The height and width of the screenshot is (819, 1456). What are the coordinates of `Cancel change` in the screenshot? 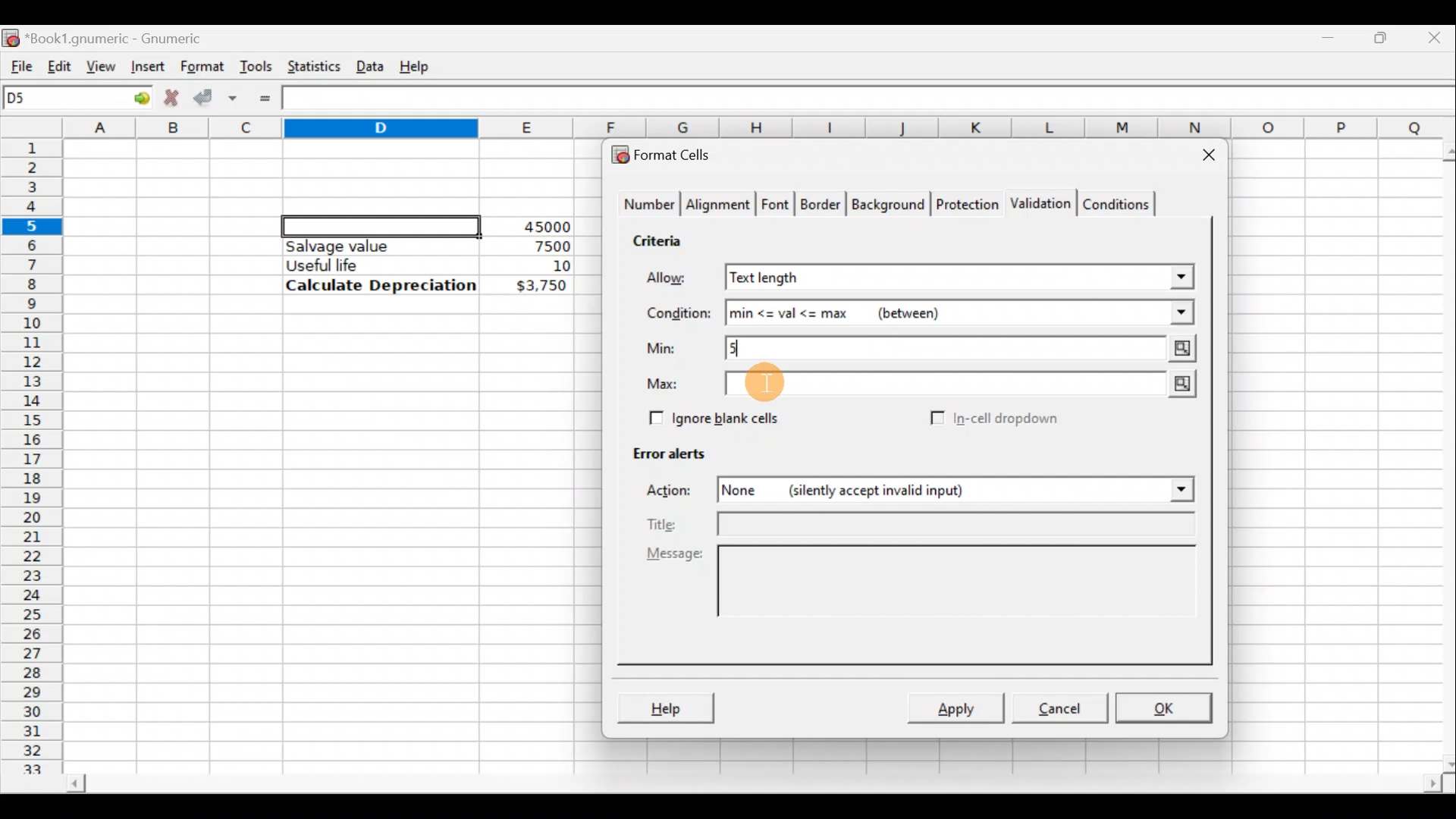 It's located at (170, 96).